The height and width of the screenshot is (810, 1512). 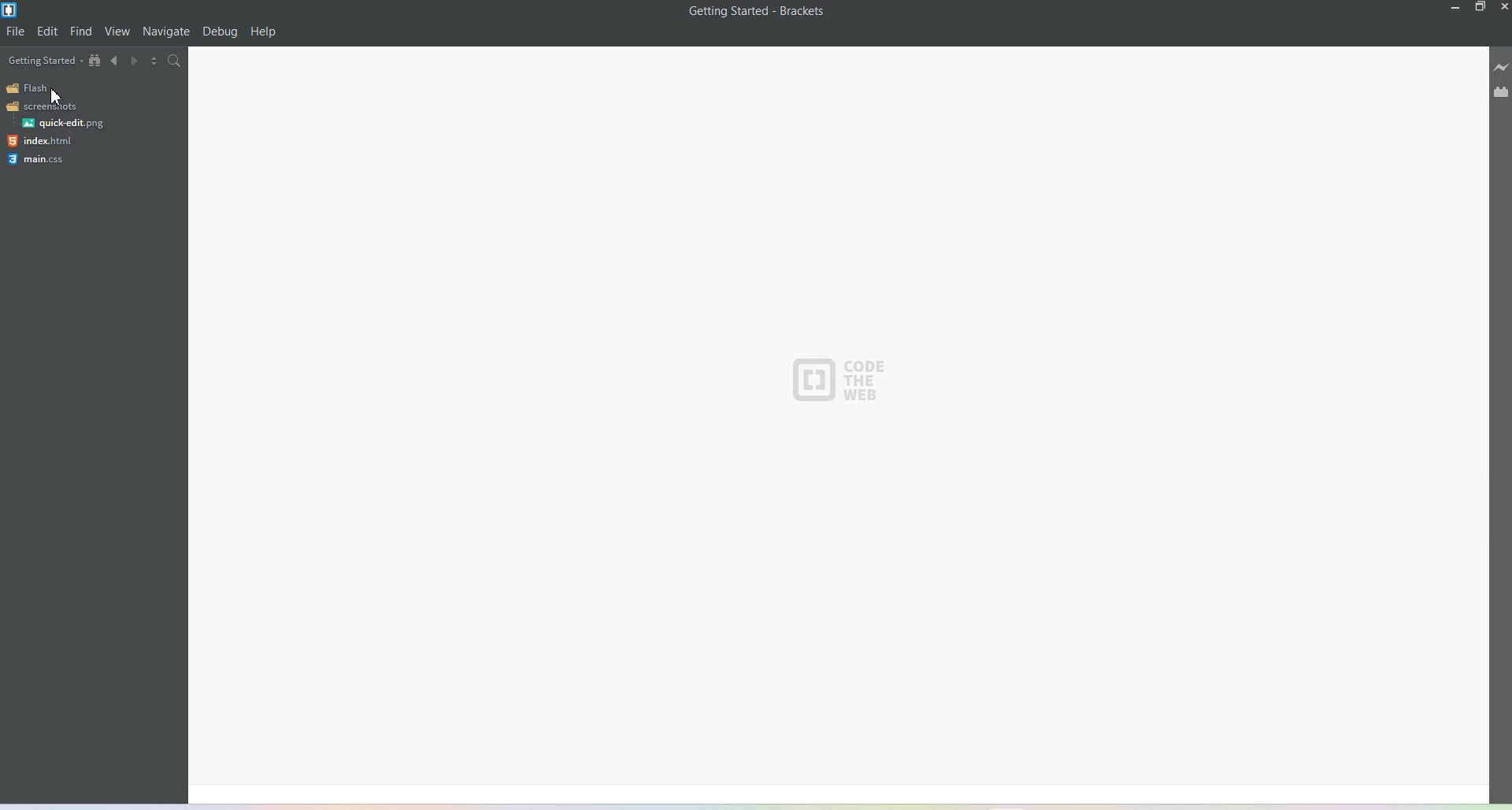 What do you see at coordinates (60, 94) in the screenshot?
I see `Cursor` at bounding box center [60, 94].